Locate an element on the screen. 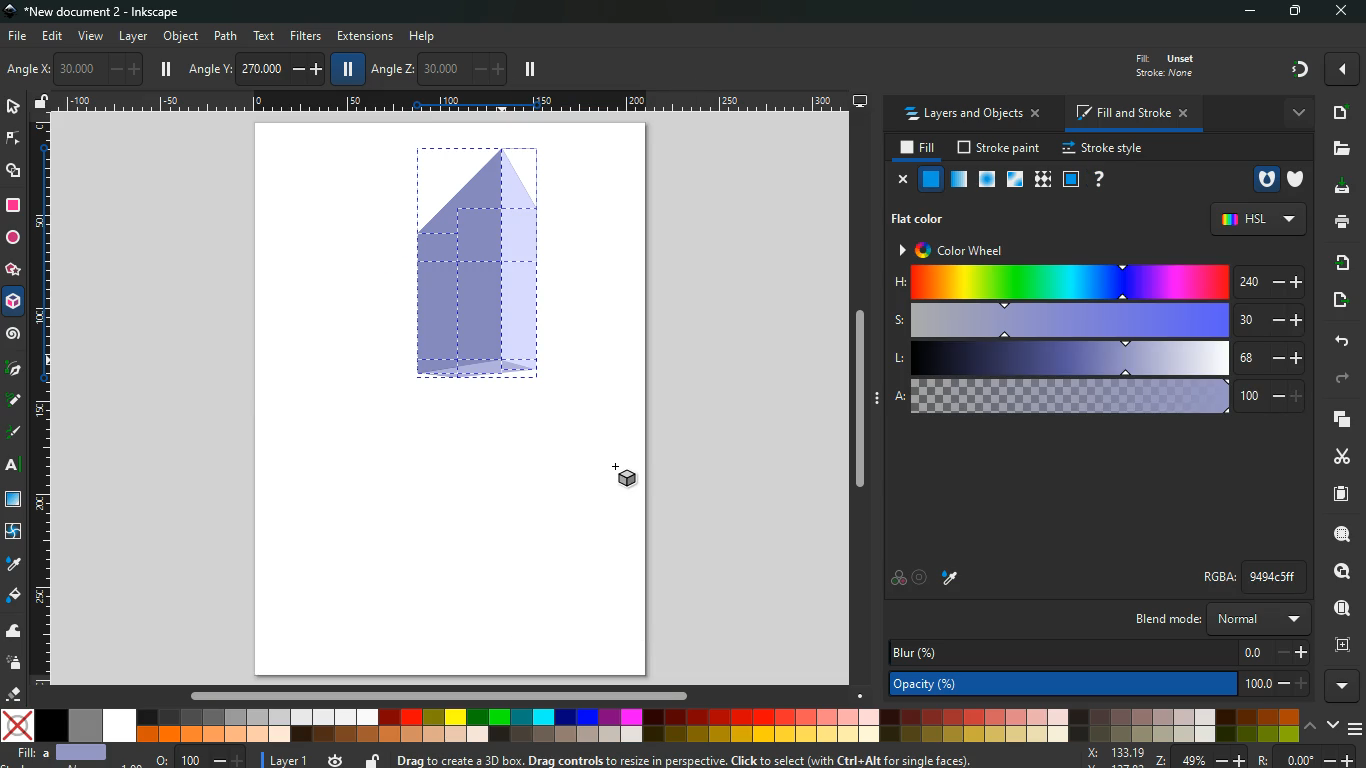  frame is located at coordinates (1071, 180).